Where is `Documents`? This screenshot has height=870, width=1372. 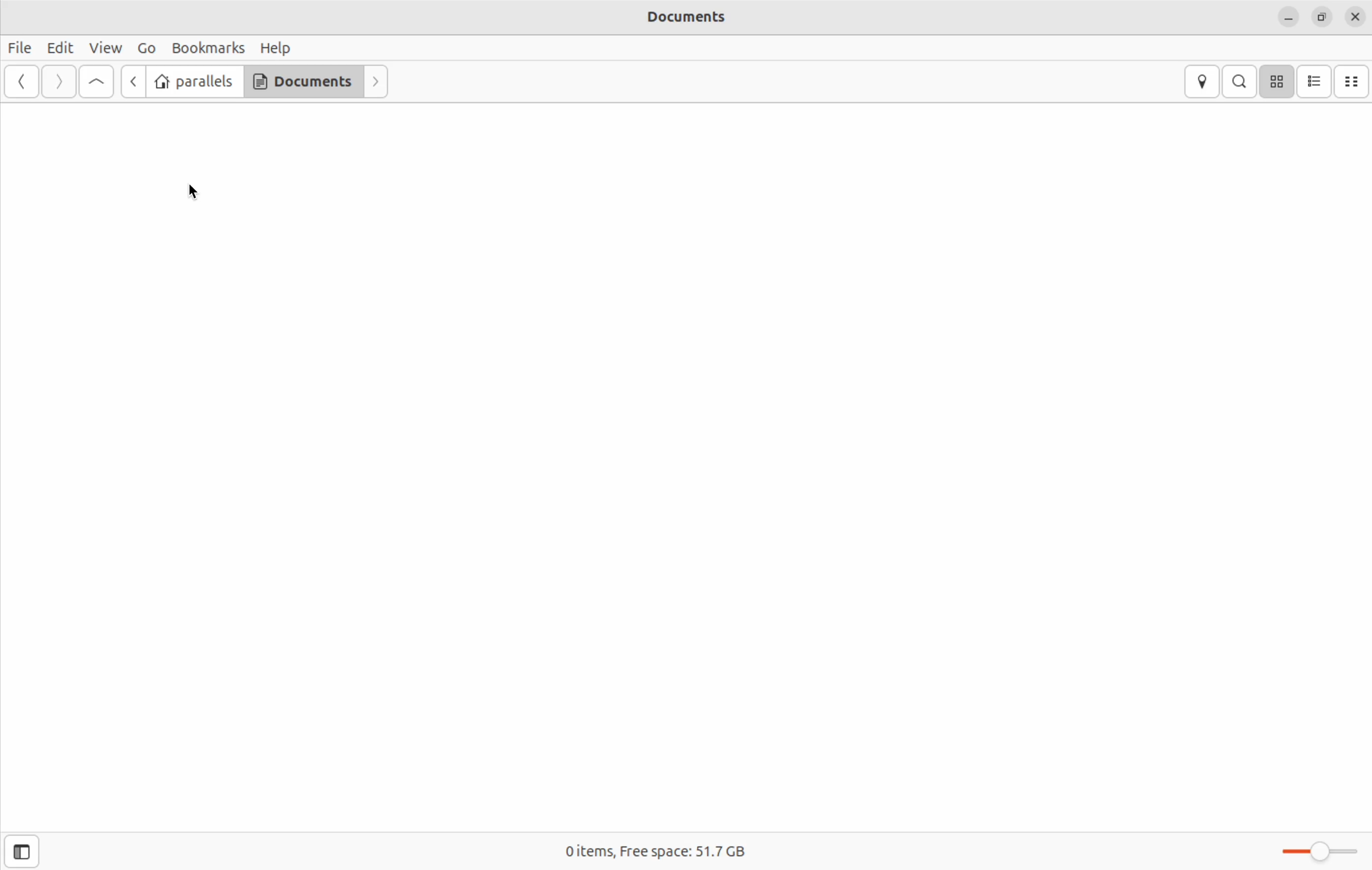
Documents is located at coordinates (303, 82).